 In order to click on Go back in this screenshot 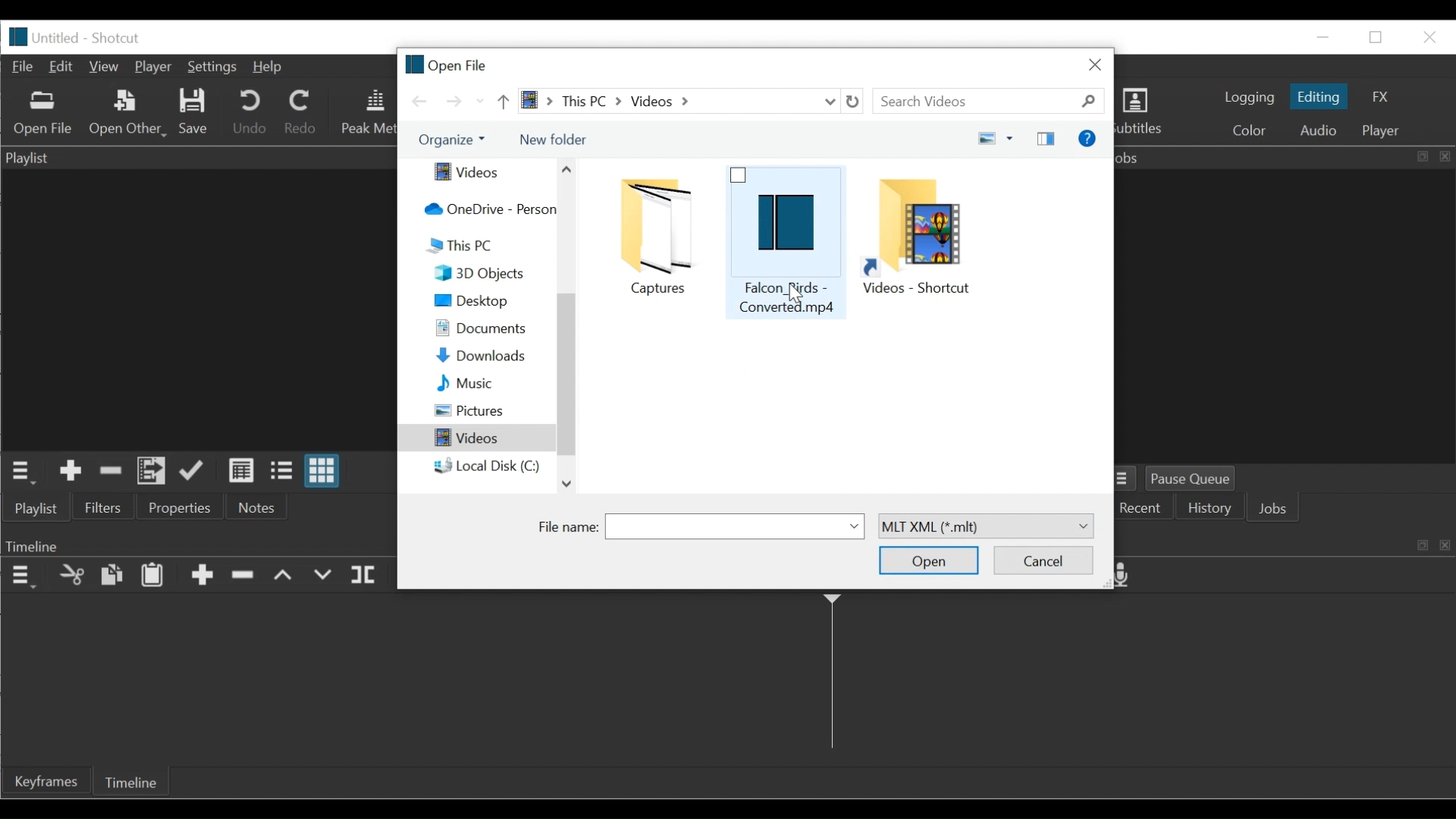, I will do `click(421, 101)`.